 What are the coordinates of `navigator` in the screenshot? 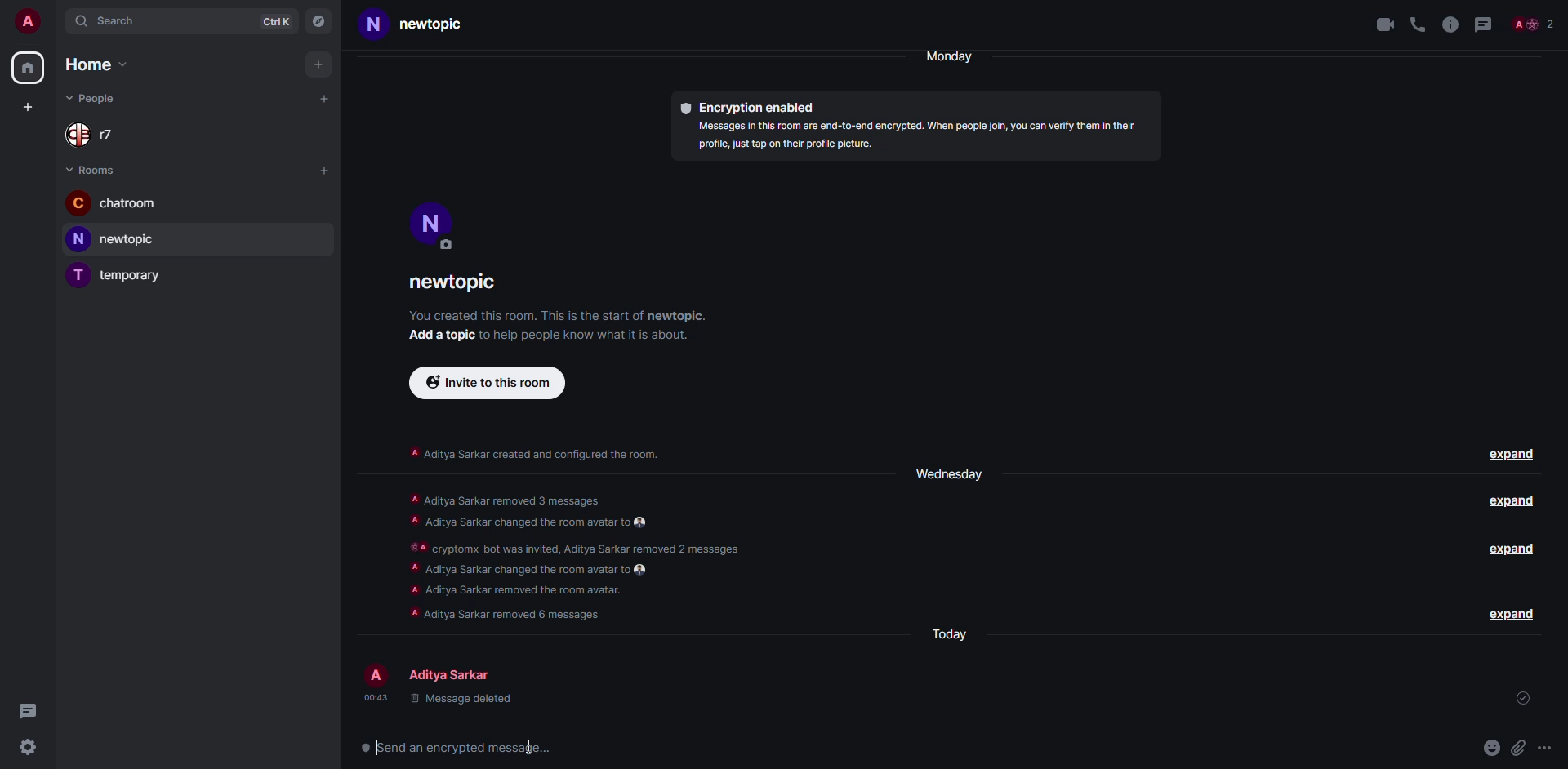 It's located at (320, 21).